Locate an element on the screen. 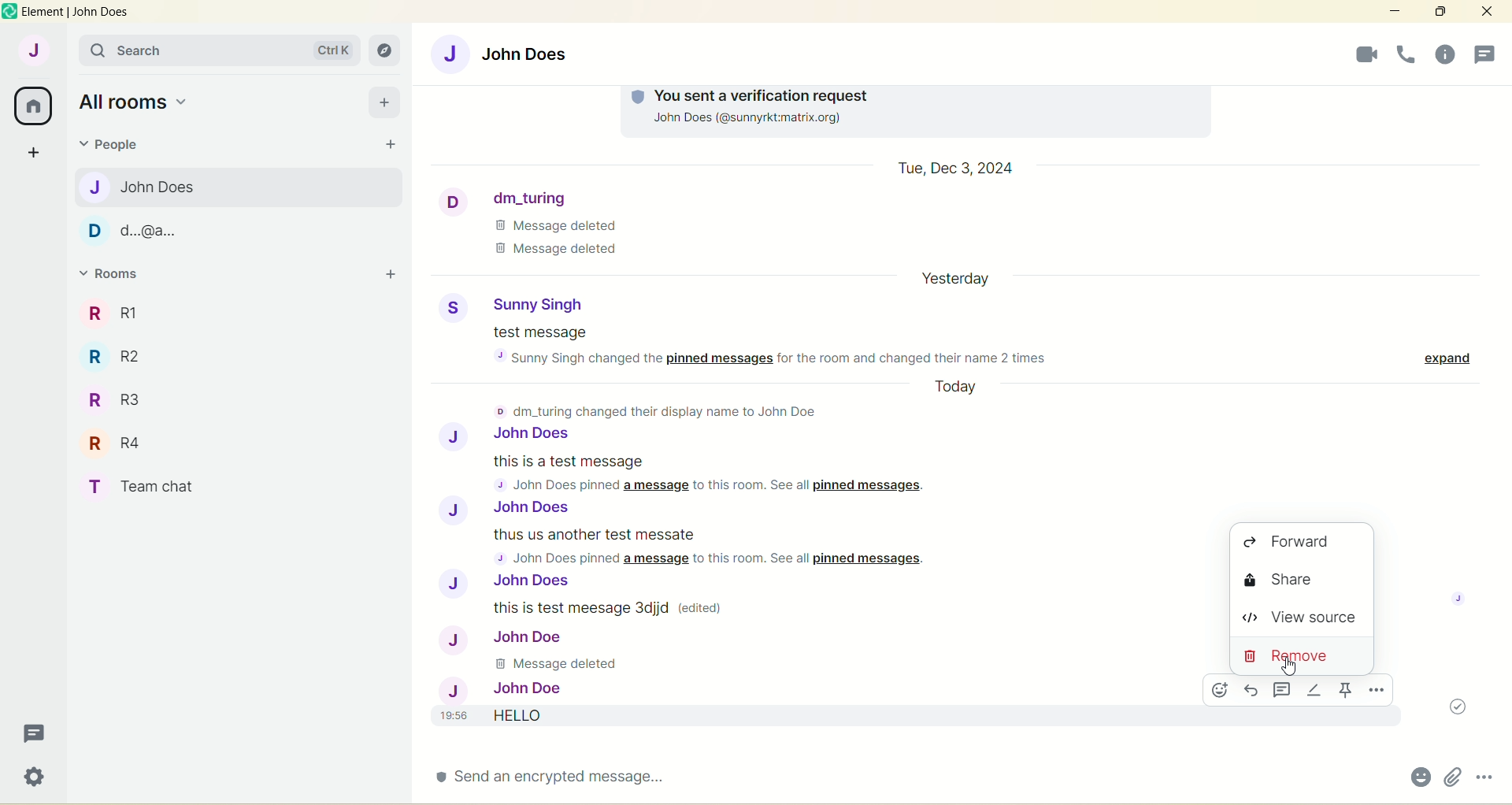  minimize is located at coordinates (1392, 11).